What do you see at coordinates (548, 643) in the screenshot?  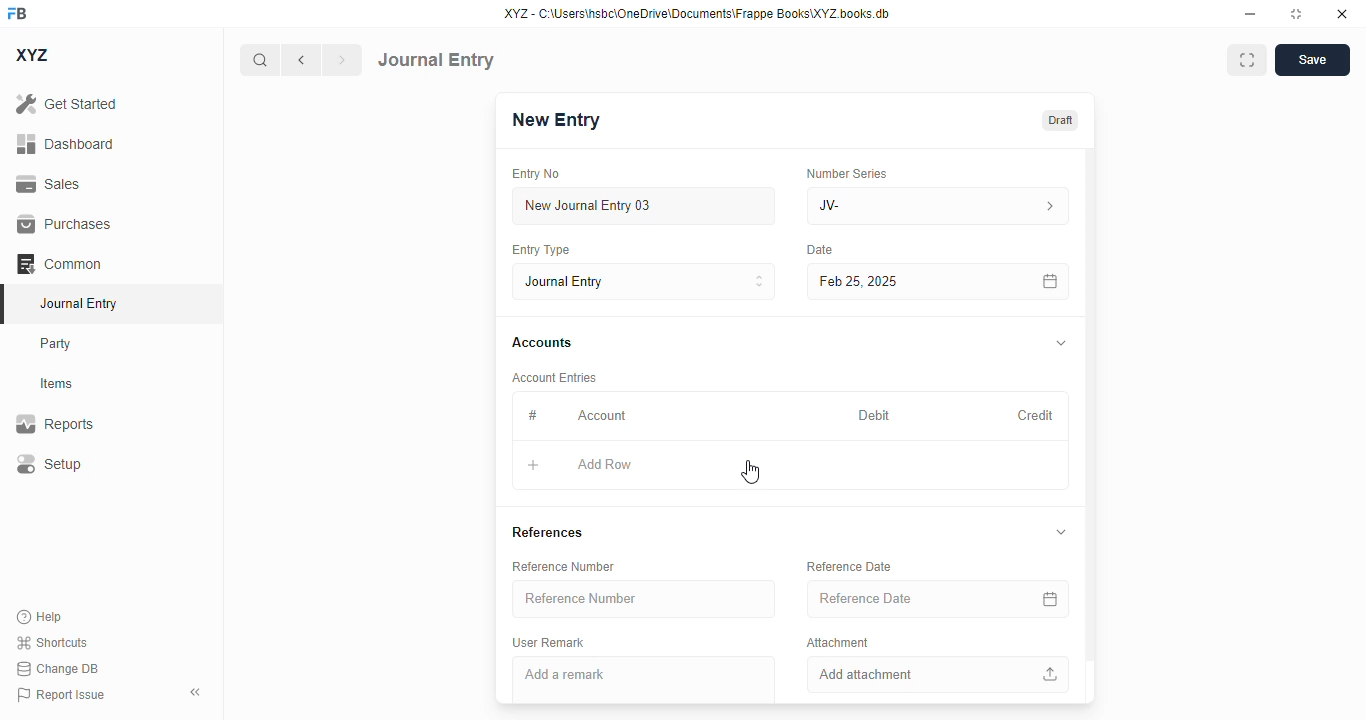 I see `user remark` at bounding box center [548, 643].